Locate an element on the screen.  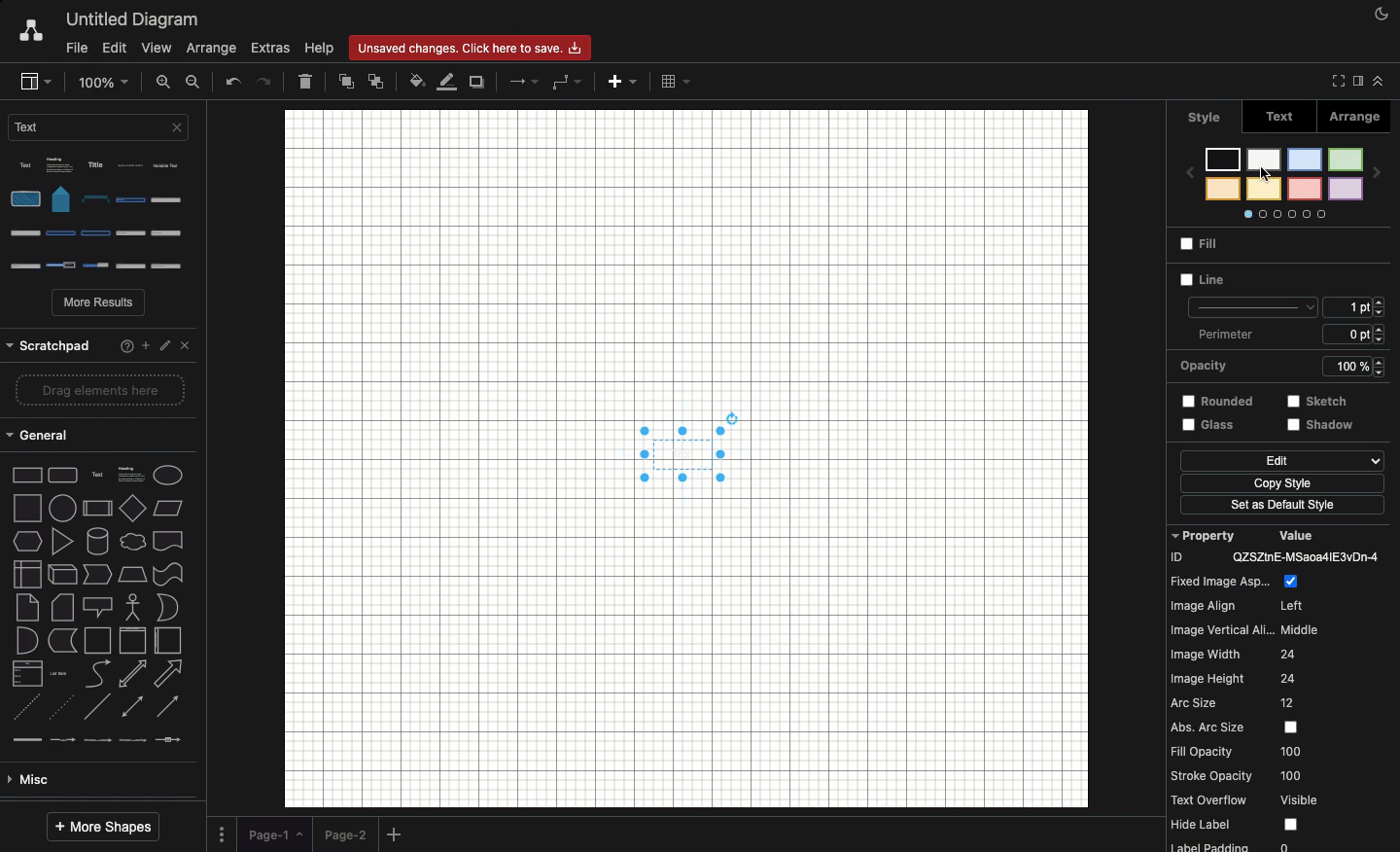
Delete is located at coordinates (305, 81).